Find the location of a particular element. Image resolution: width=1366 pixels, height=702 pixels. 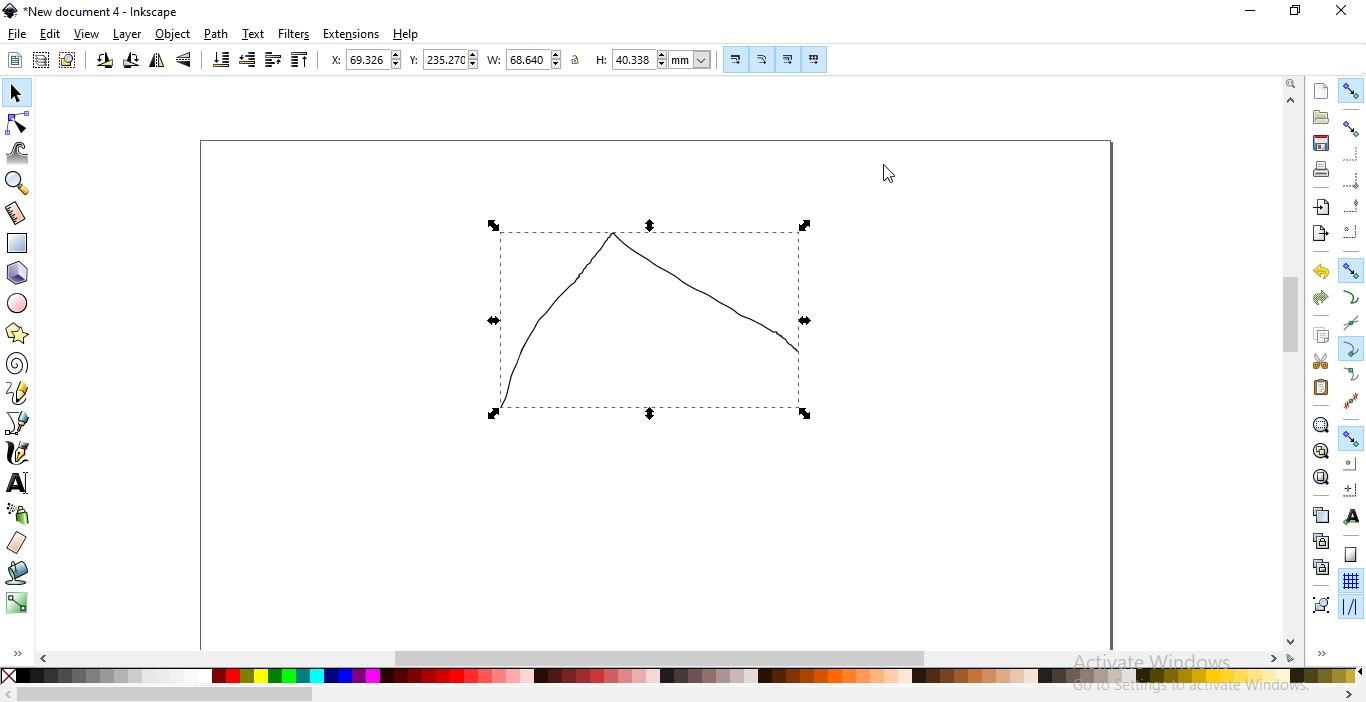

draw freehand lines is located at coordinates (18, 392).